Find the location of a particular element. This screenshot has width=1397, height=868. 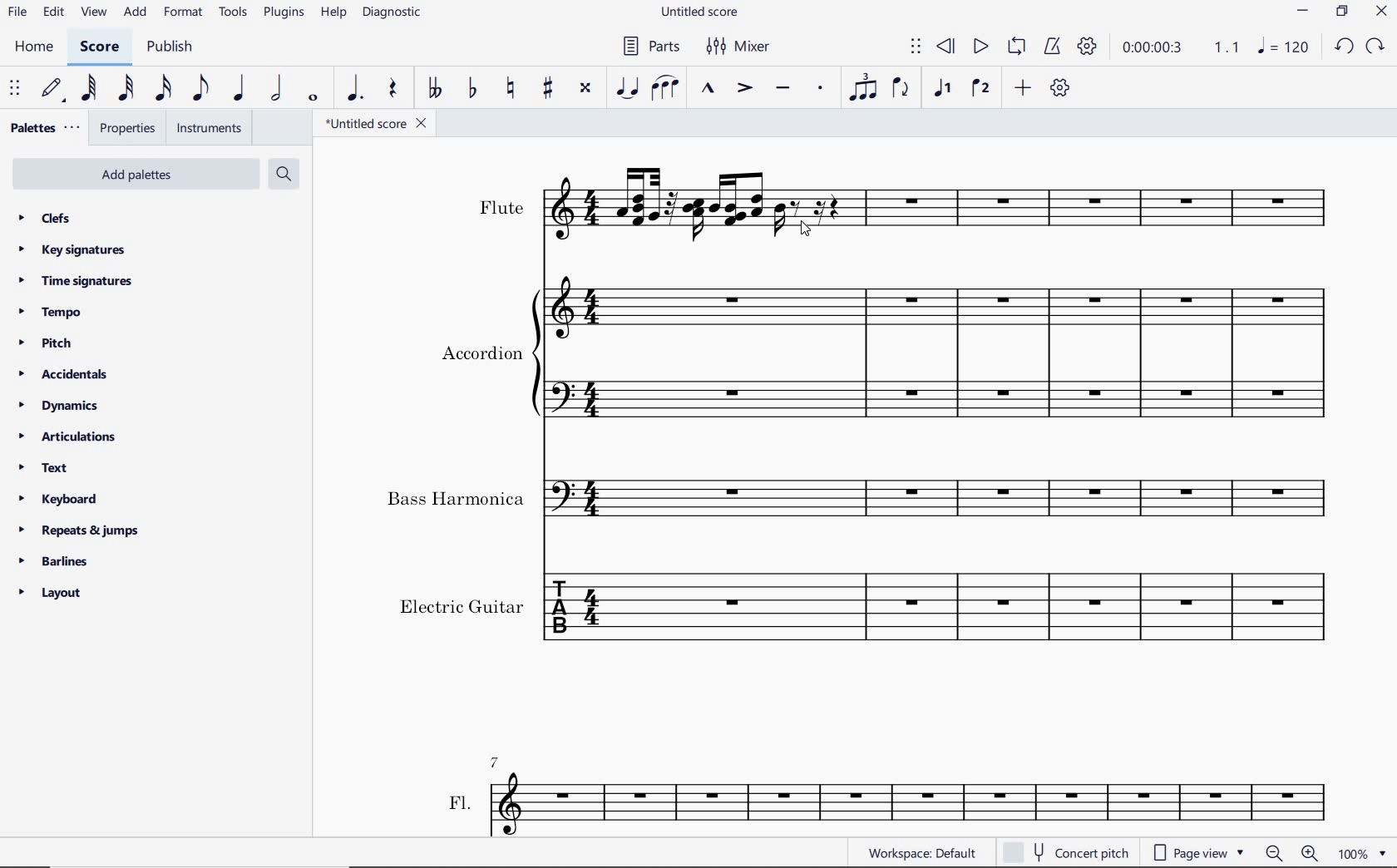

articulations is located at coordinates (68, 437).